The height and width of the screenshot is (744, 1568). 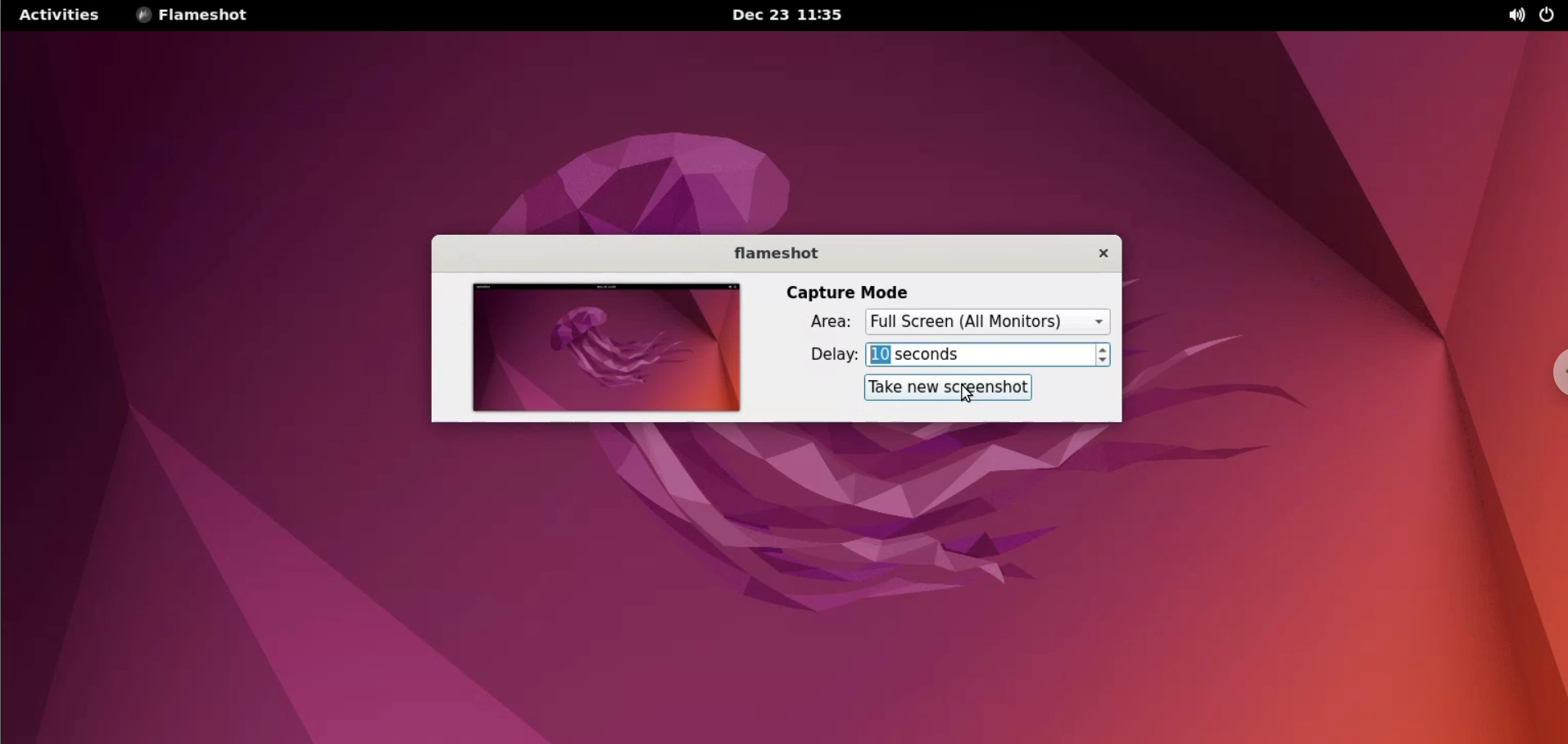 I want to click on sound options, so click(x=1515, y=16).